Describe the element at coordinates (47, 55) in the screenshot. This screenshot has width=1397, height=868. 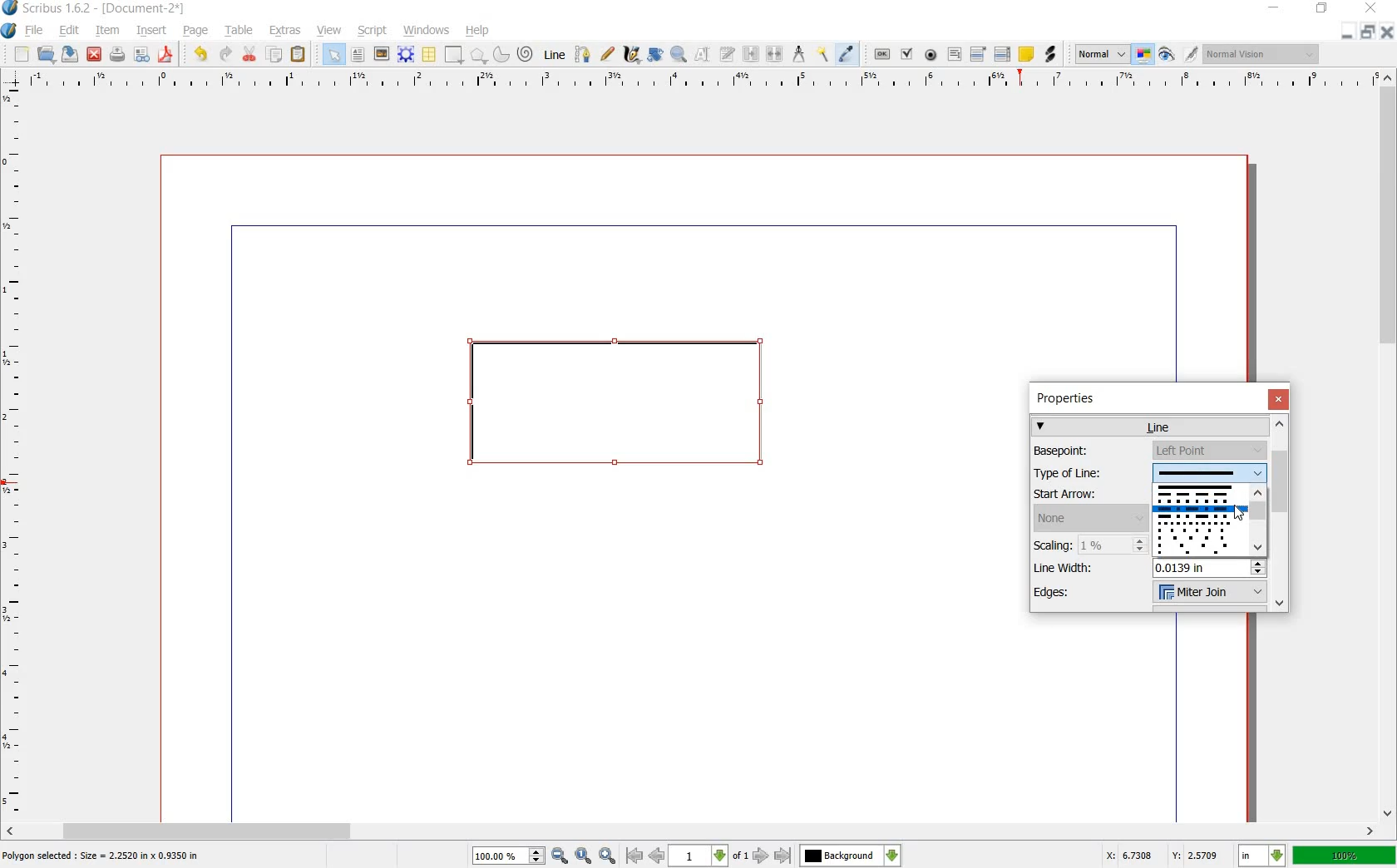
I see `OPEN` at that location.